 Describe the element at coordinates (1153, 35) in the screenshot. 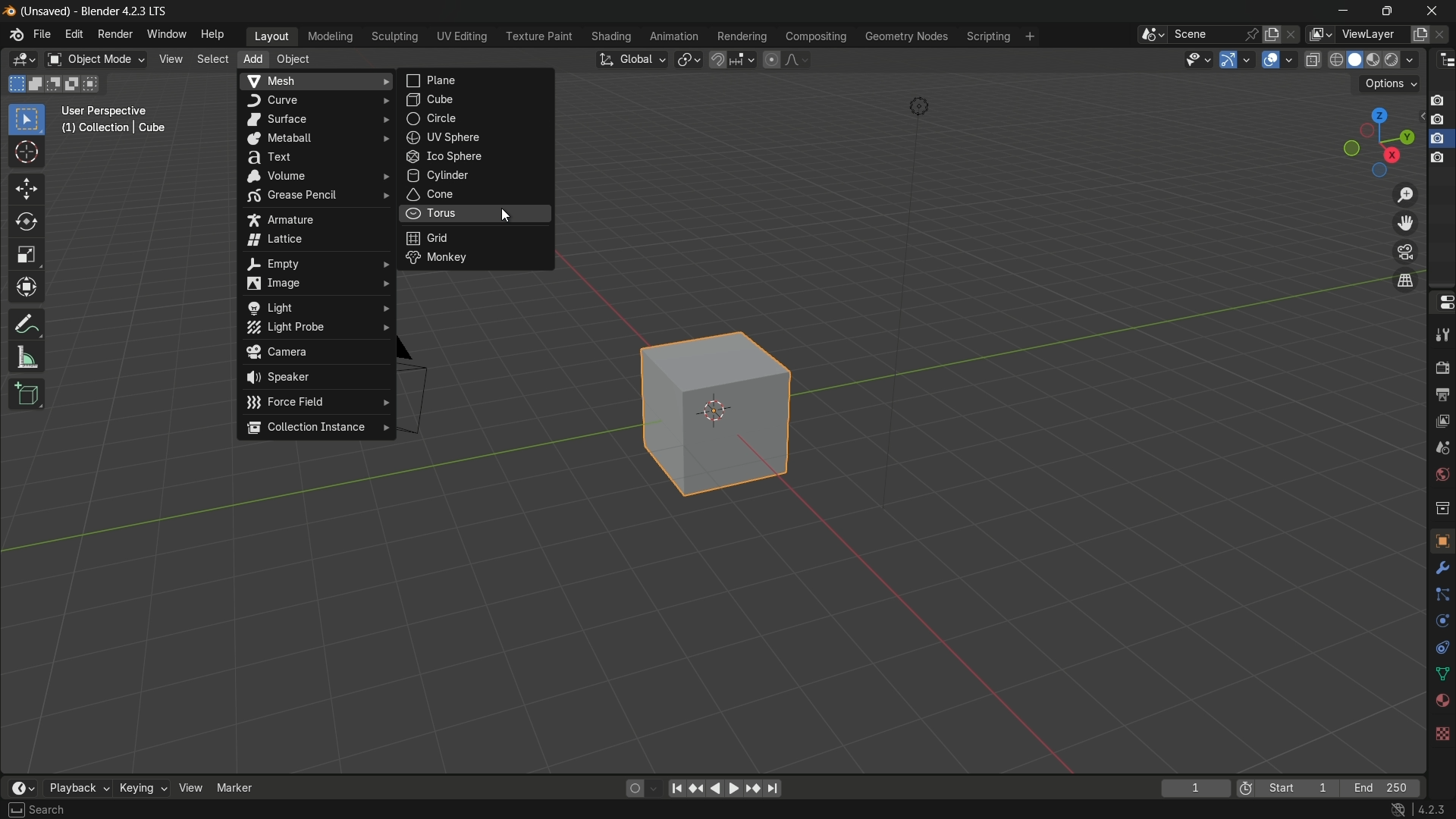

I see `browse scenes` at that location.